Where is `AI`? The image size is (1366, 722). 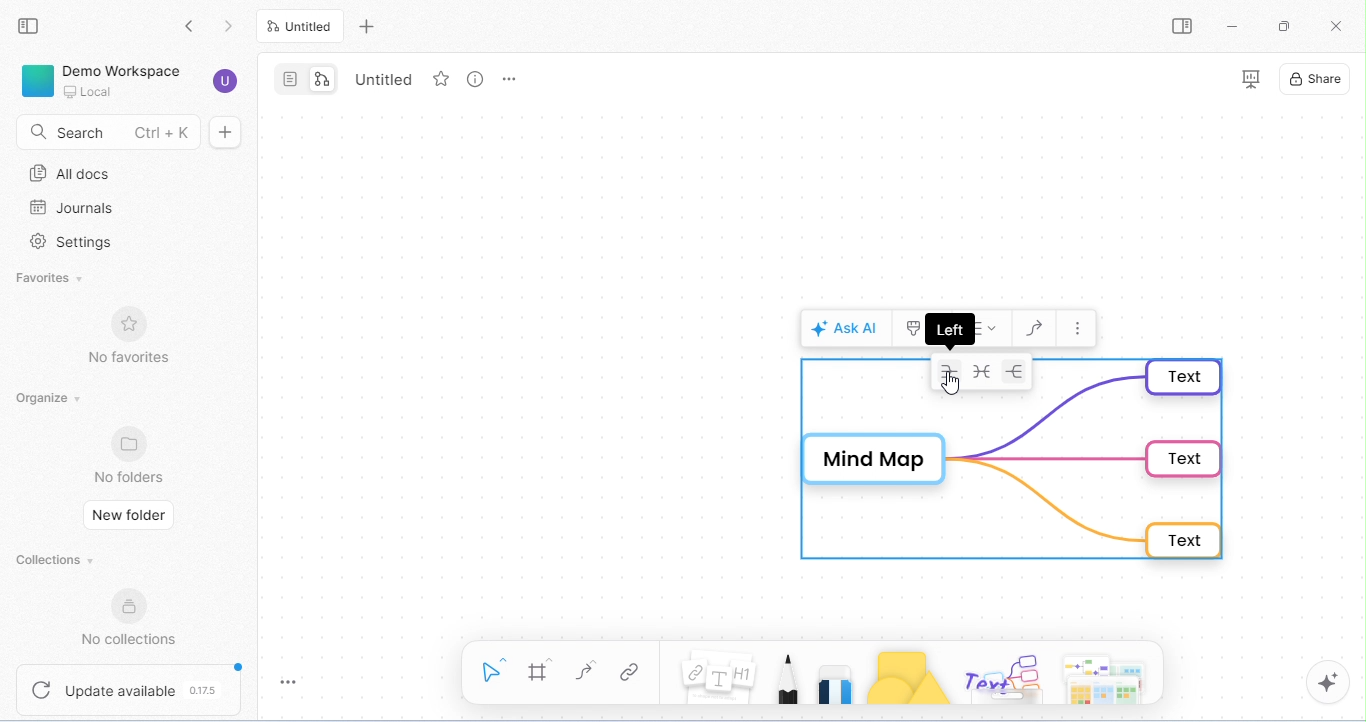
AI is located at coordinates (1328, 683).